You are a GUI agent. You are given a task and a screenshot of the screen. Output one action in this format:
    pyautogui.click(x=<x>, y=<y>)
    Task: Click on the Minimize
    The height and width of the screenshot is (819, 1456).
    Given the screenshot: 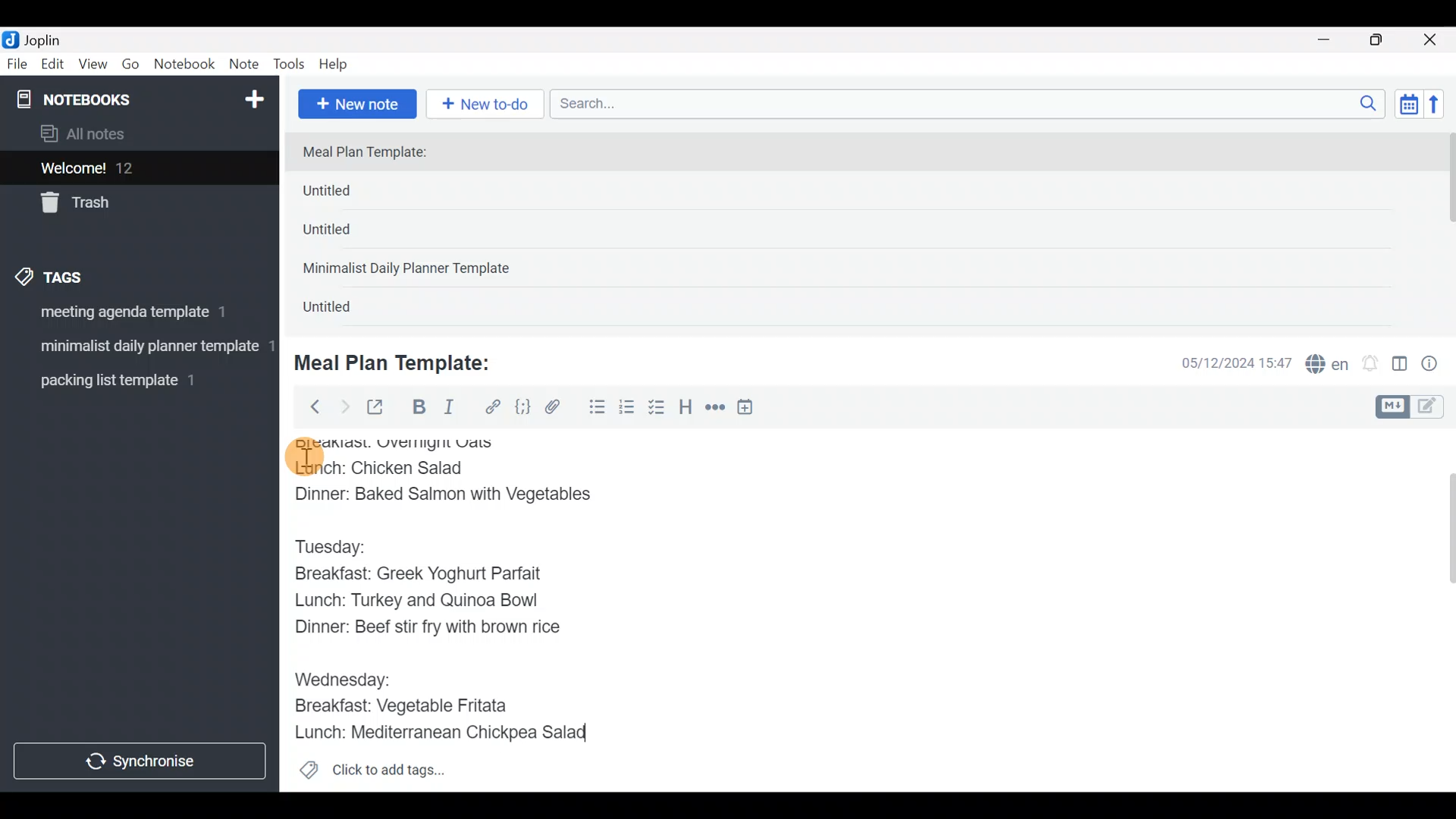 What is the action you would take?
    pyautogui.click(x=1332, y=38)
    